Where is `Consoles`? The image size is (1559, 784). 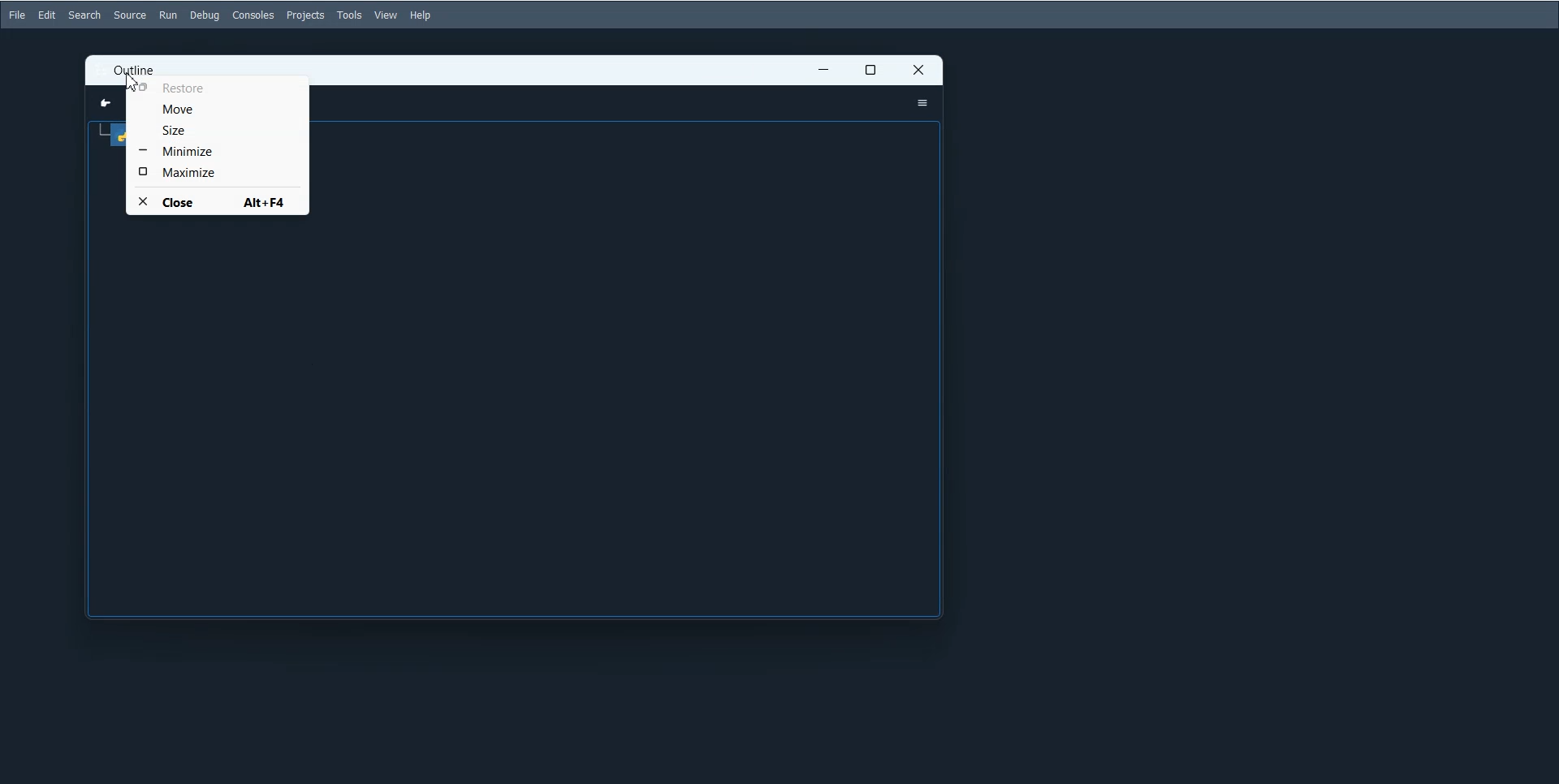 Consoles is located at coordinates (253, 15).